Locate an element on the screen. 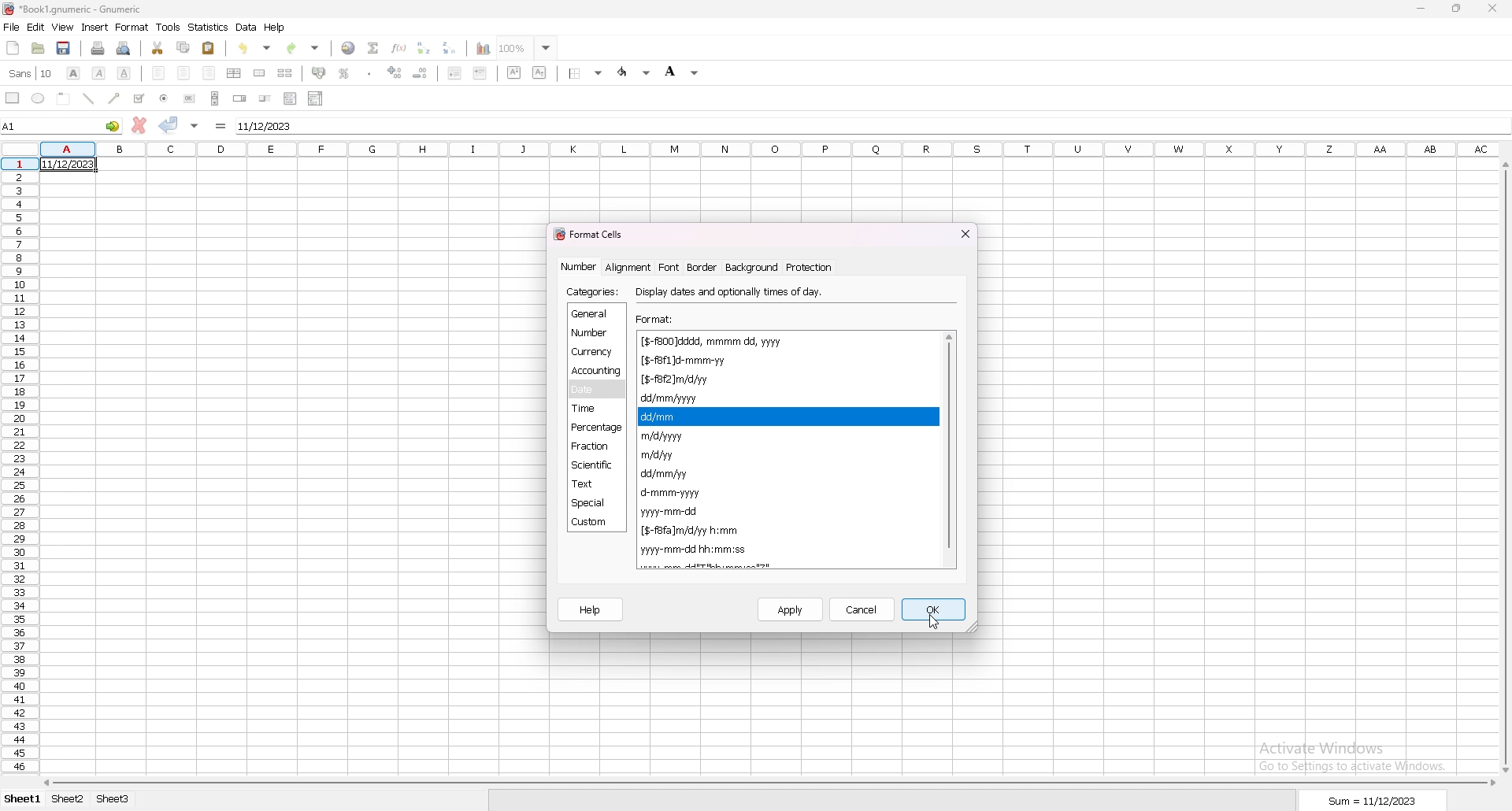  font is located at coordinates (33, 72).